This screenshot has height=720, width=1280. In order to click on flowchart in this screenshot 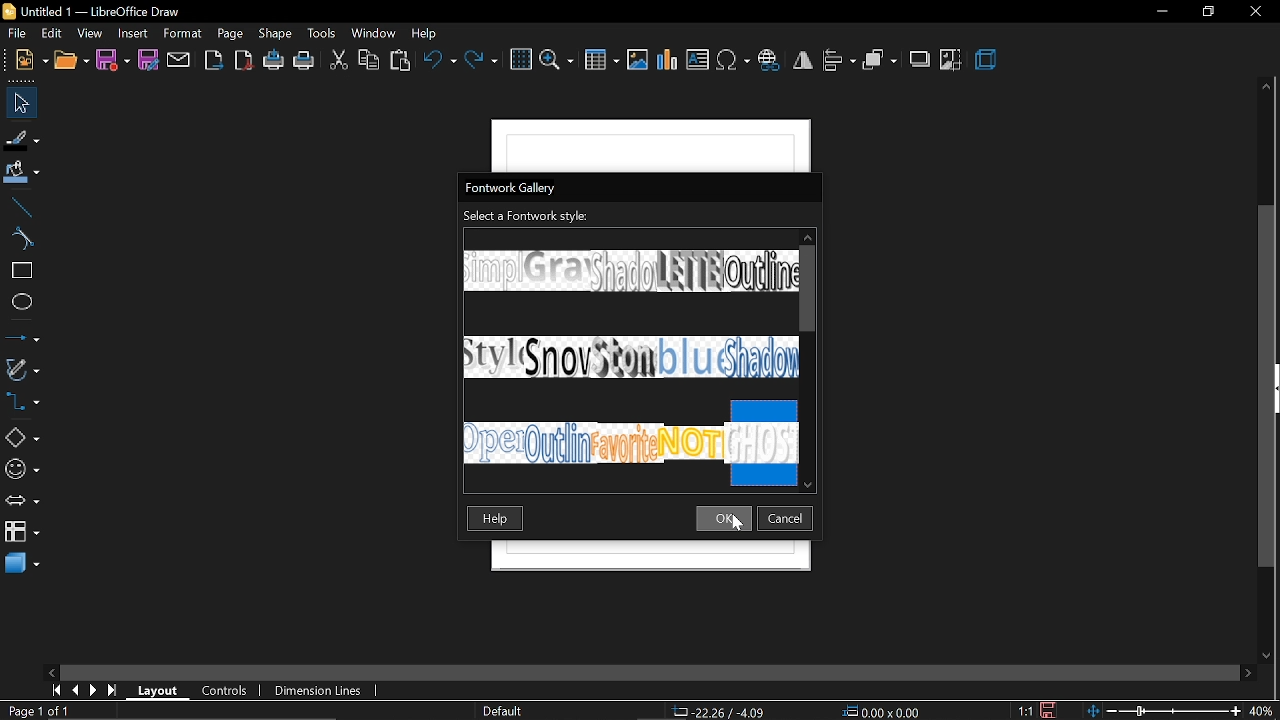, I will do `click(22, 531)`.